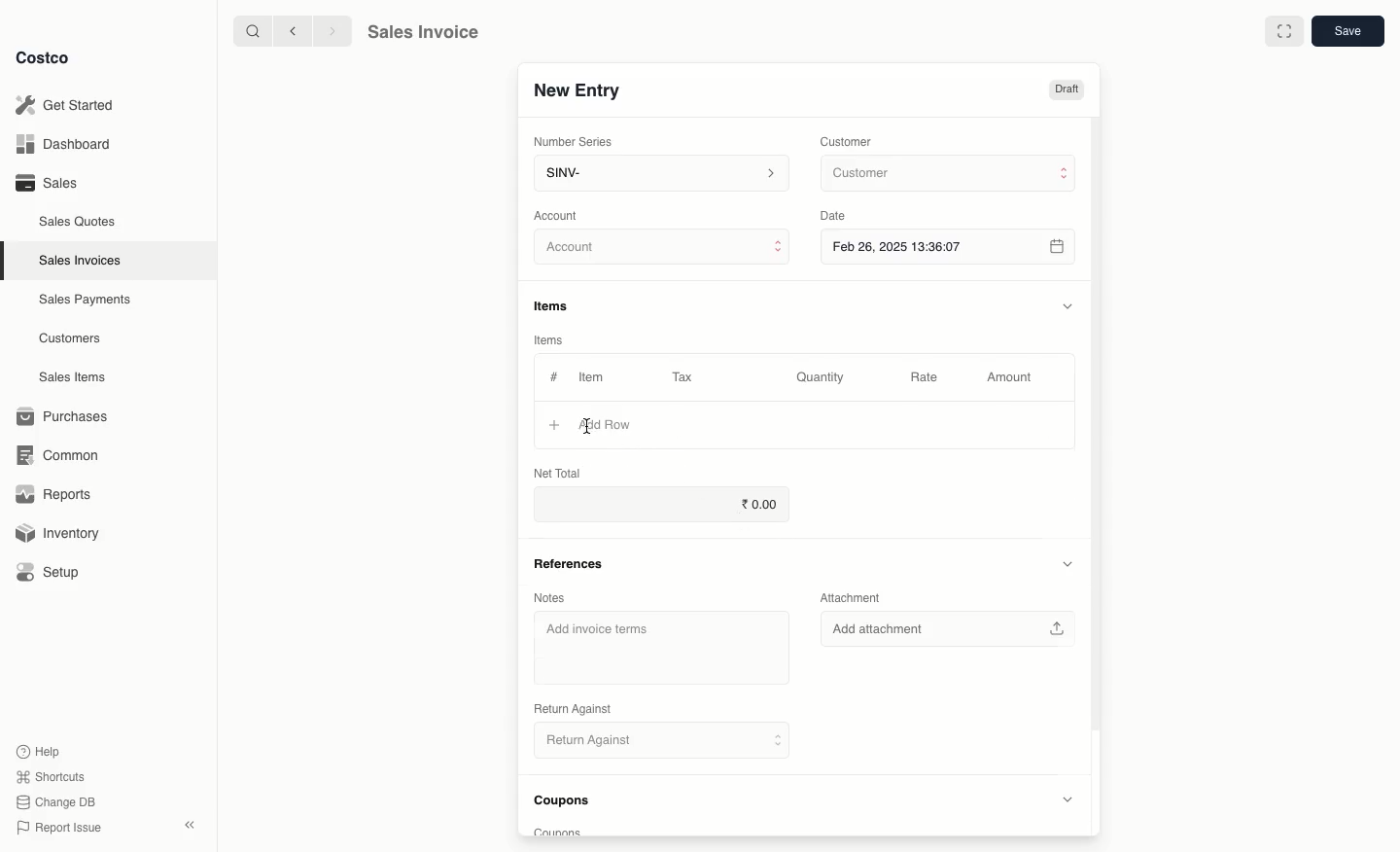 This screenshot has height=852, width=1400. Describe the element at coordinates (40, 750) in the screenshot. I see `Help` at that location.